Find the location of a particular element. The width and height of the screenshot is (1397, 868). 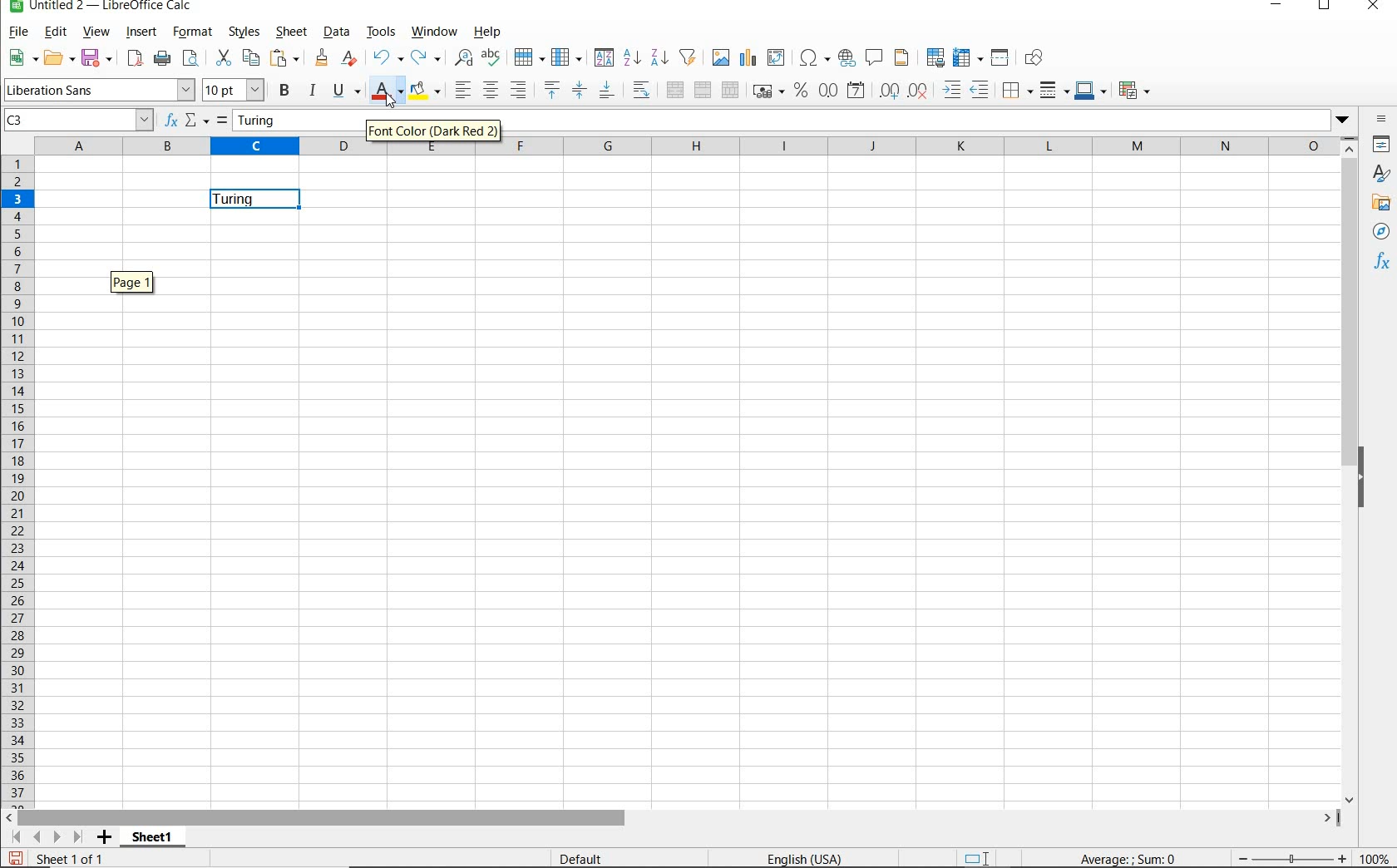

FUNCTIONS is located at coordinates (1382, 263).